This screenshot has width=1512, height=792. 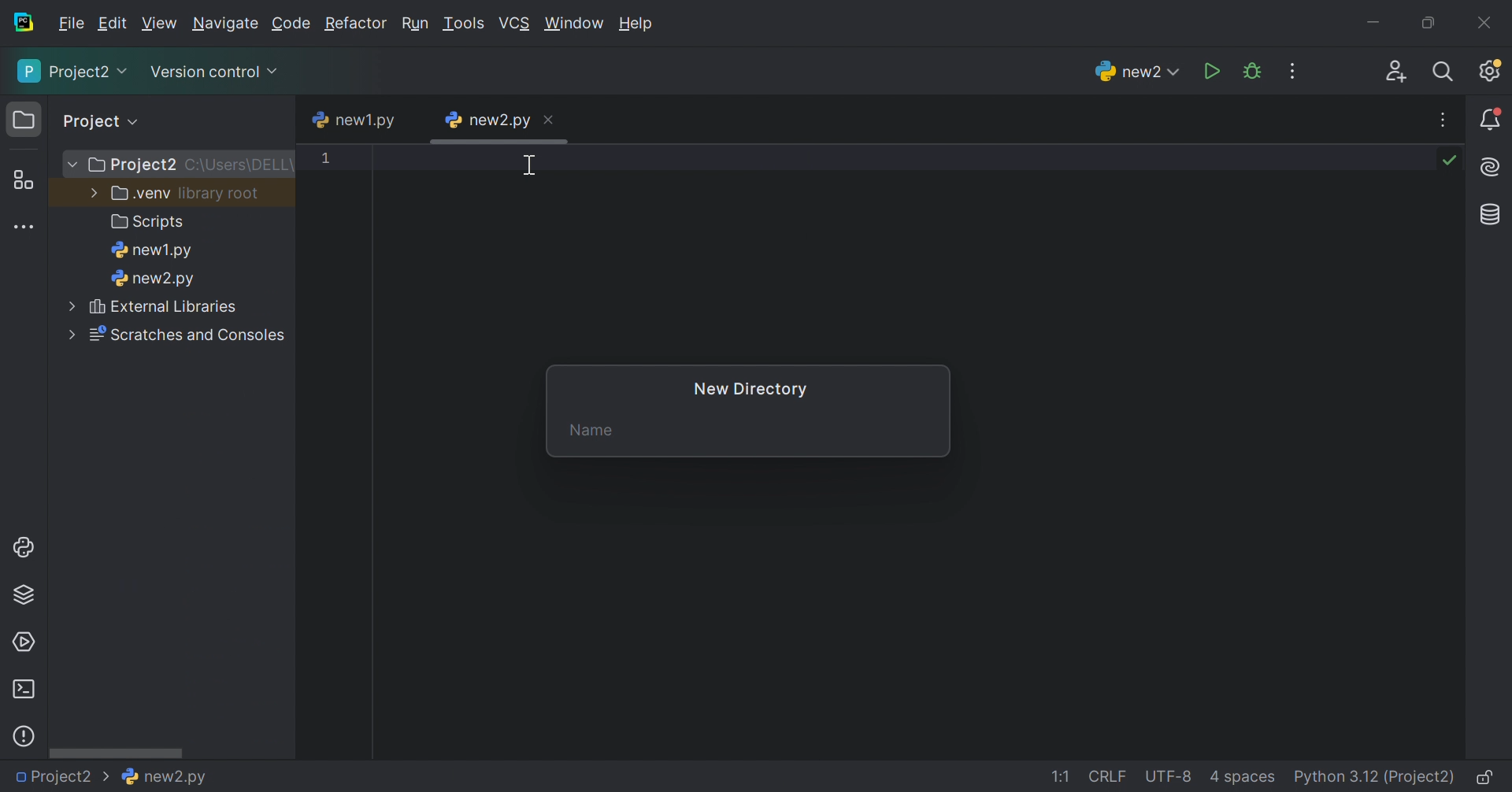 What do you see at coordinates (154, 250) in the screenshot?
I see `new1.py` at bounding box center [154, 250].